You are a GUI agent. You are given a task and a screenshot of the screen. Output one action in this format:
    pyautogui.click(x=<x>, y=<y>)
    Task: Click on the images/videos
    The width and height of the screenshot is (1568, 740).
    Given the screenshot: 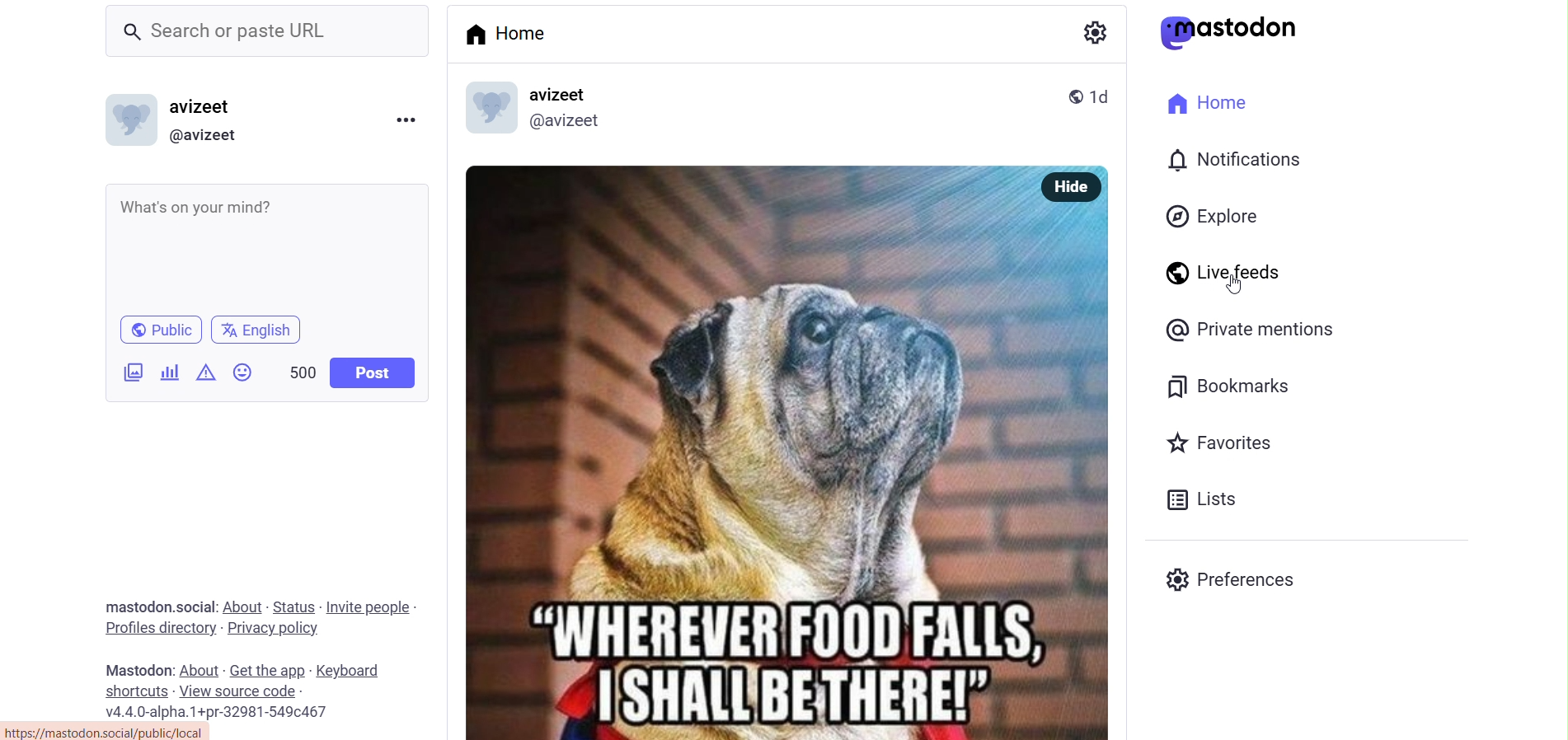 What is the action you would take?
    pyautogui.click(x=134, y=372)
    